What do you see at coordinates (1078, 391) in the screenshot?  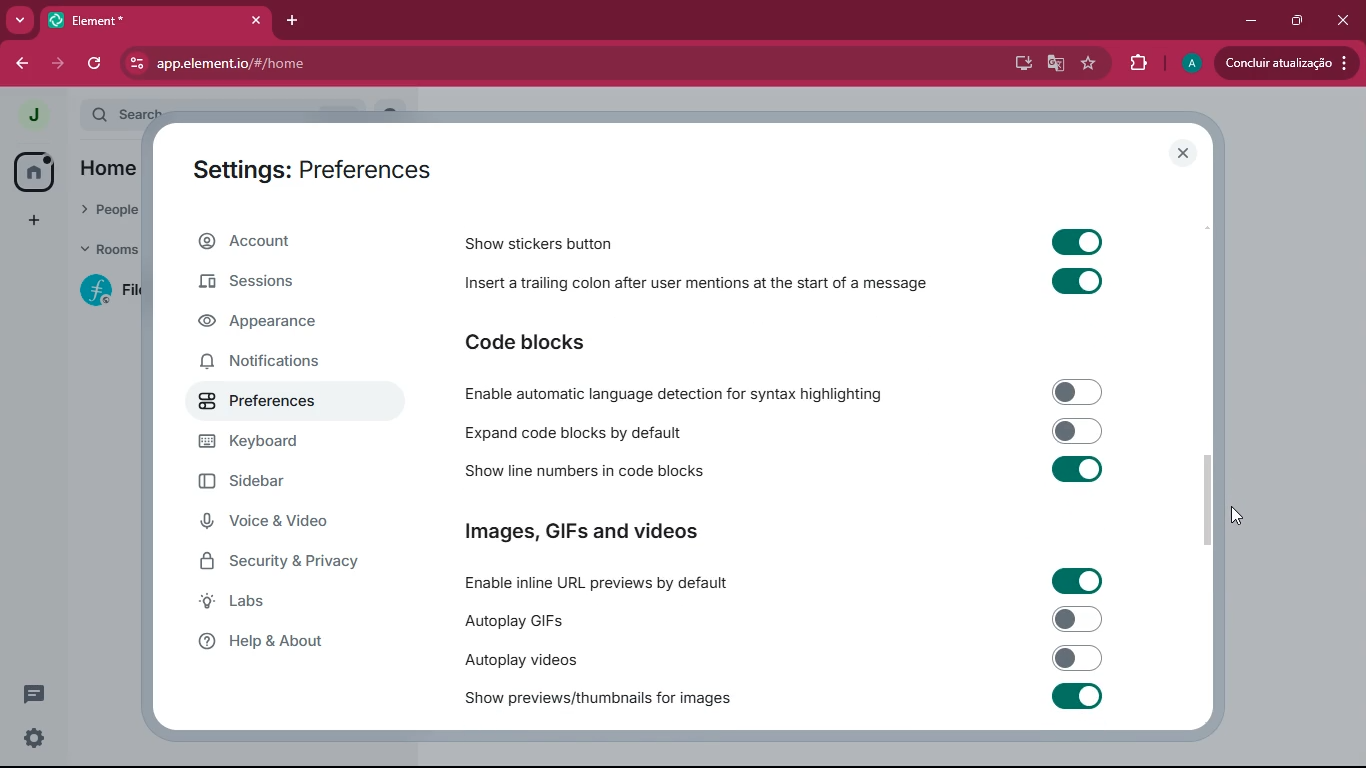 I see `` at bounding box center [1078, 391].